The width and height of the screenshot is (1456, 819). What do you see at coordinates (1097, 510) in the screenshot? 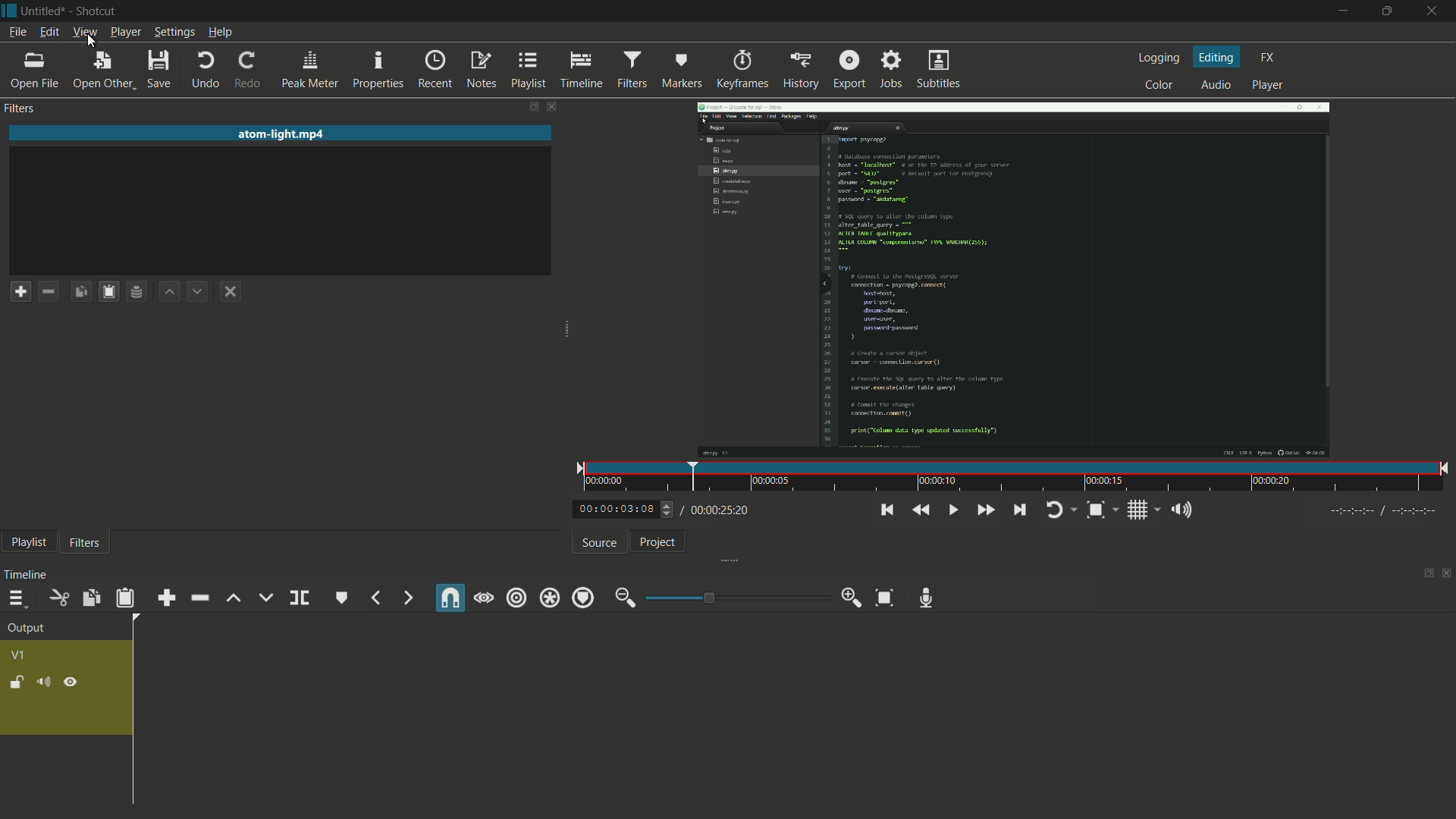
I see `zoom timeline to fit` at bounding box center [1097, 510].